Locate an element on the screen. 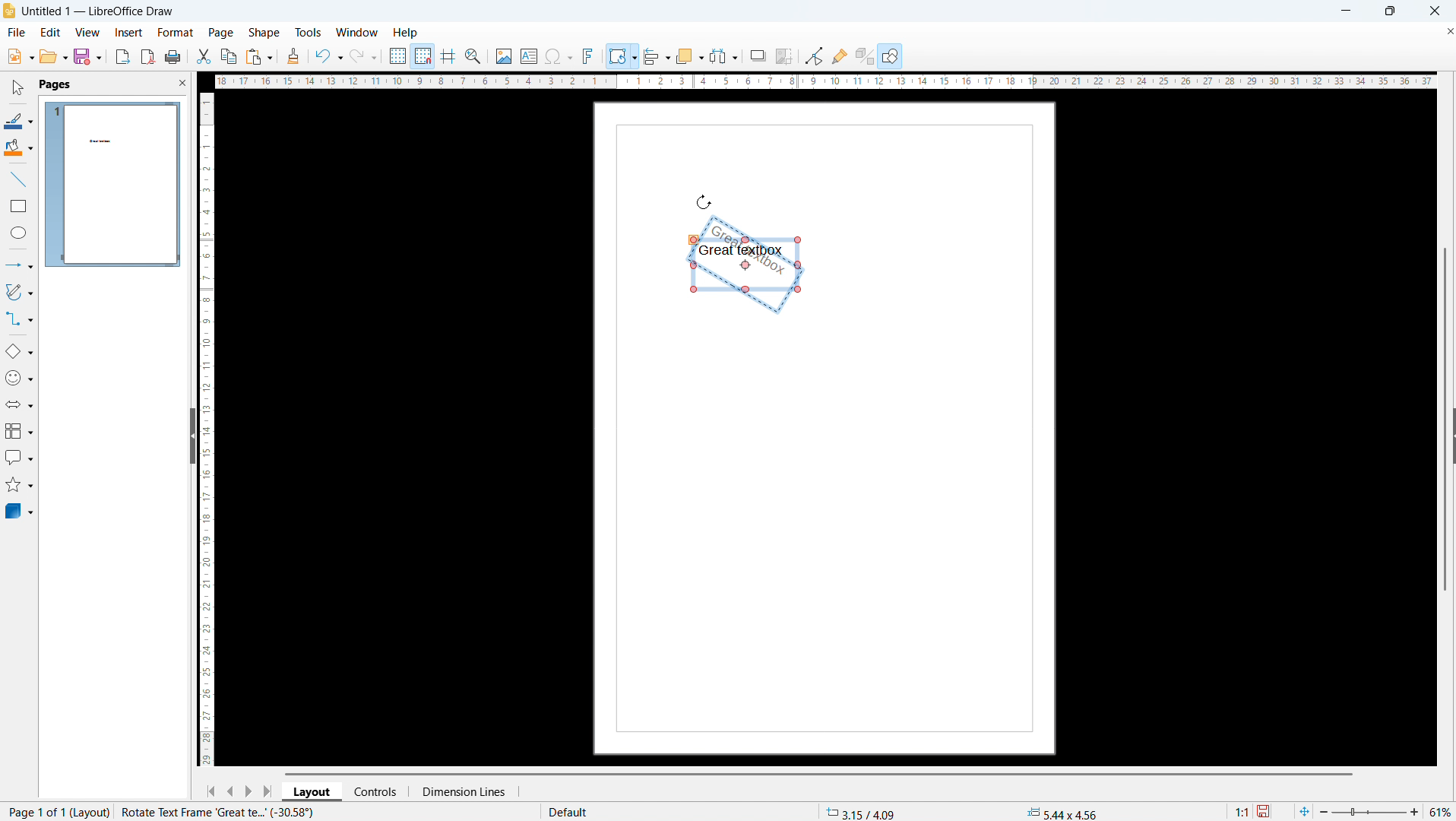  insert symbols is located at coordinates (559, 56).